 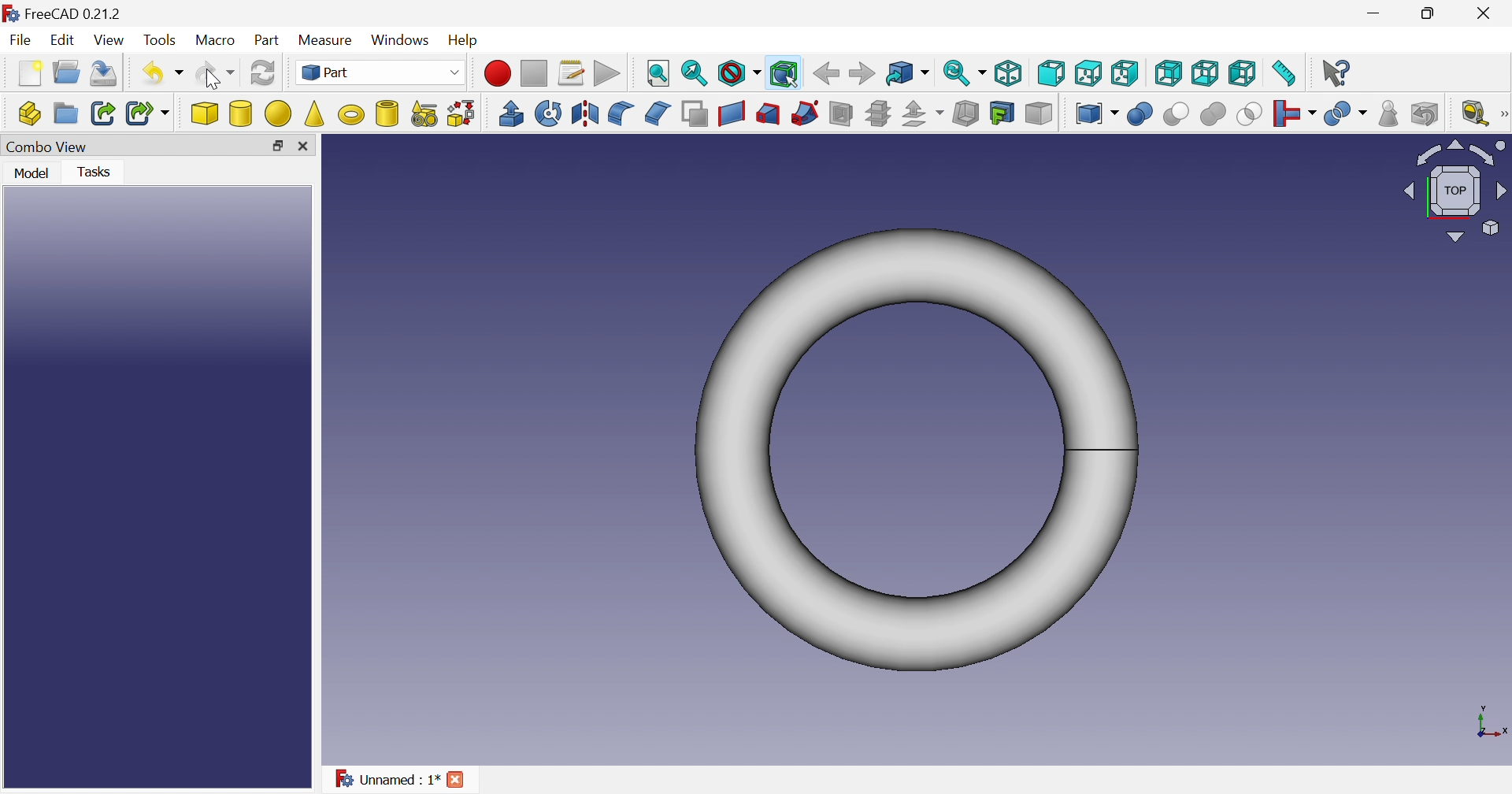 What do you see at coordinates (1124, 73) in the screenshot?
I see `Top` at bounding box center [1124, 73].